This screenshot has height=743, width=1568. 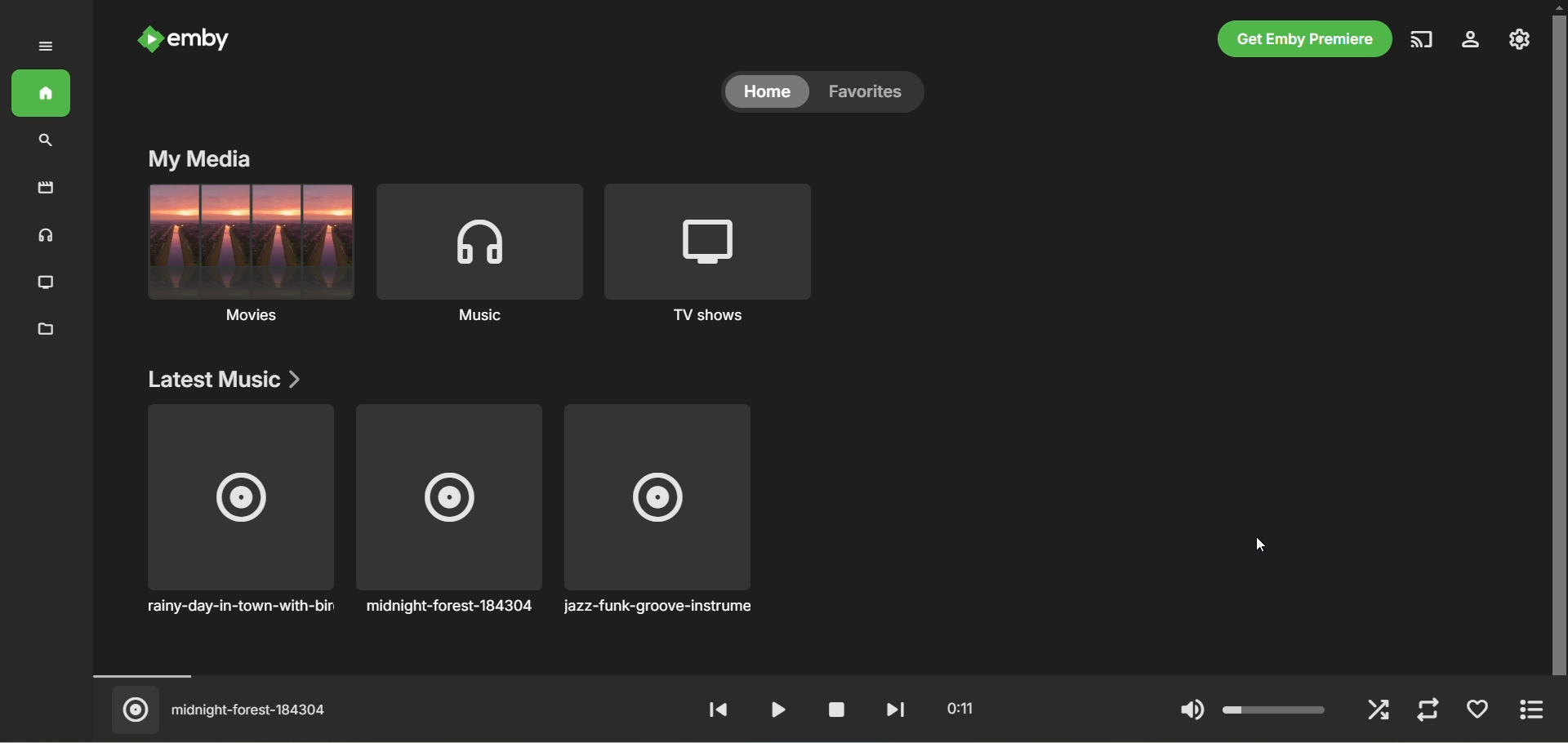 I want to click on home, so click(x=41, y=94).